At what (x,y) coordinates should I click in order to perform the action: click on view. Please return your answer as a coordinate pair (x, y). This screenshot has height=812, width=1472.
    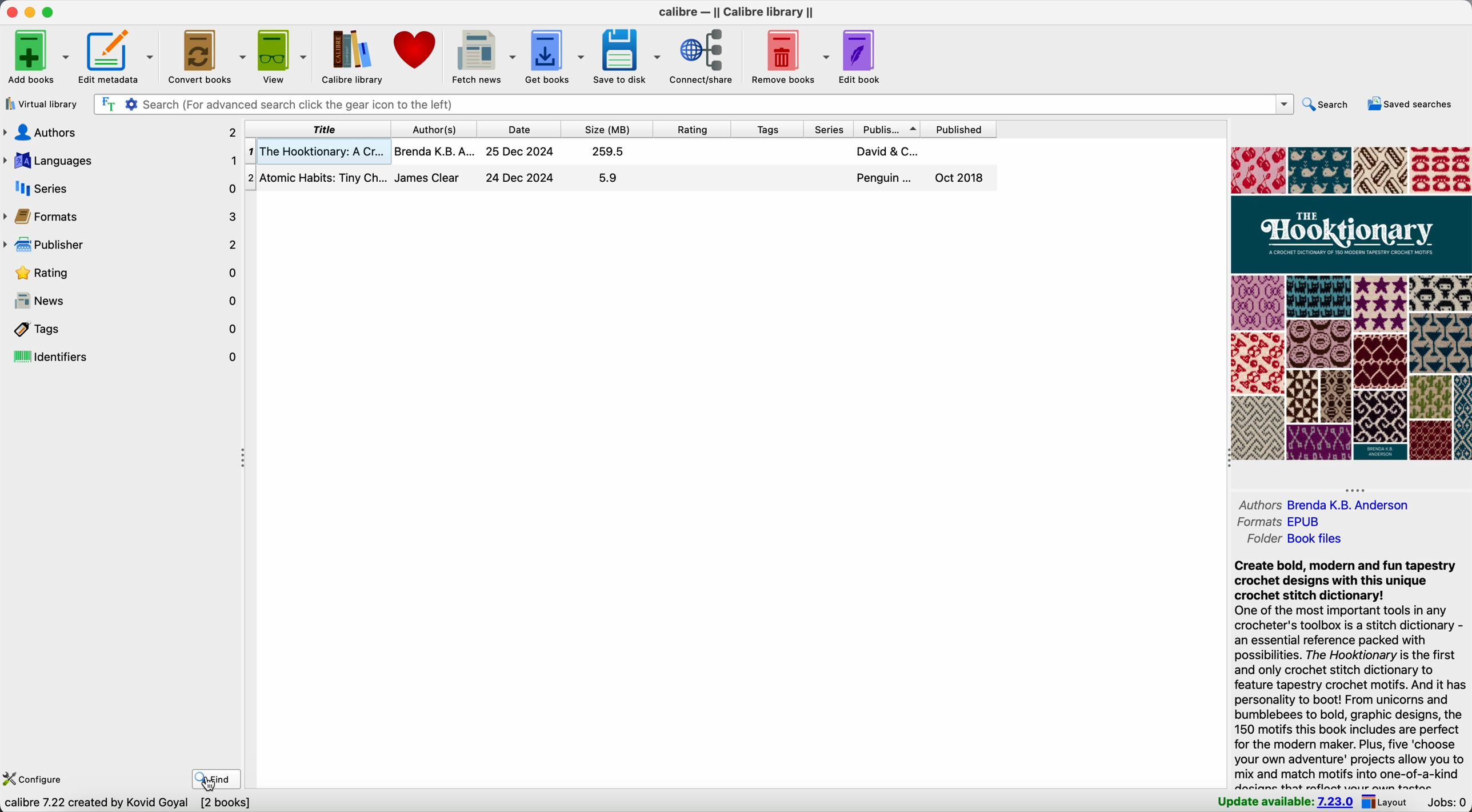
    Looking at the image, I should click on (283, 54).